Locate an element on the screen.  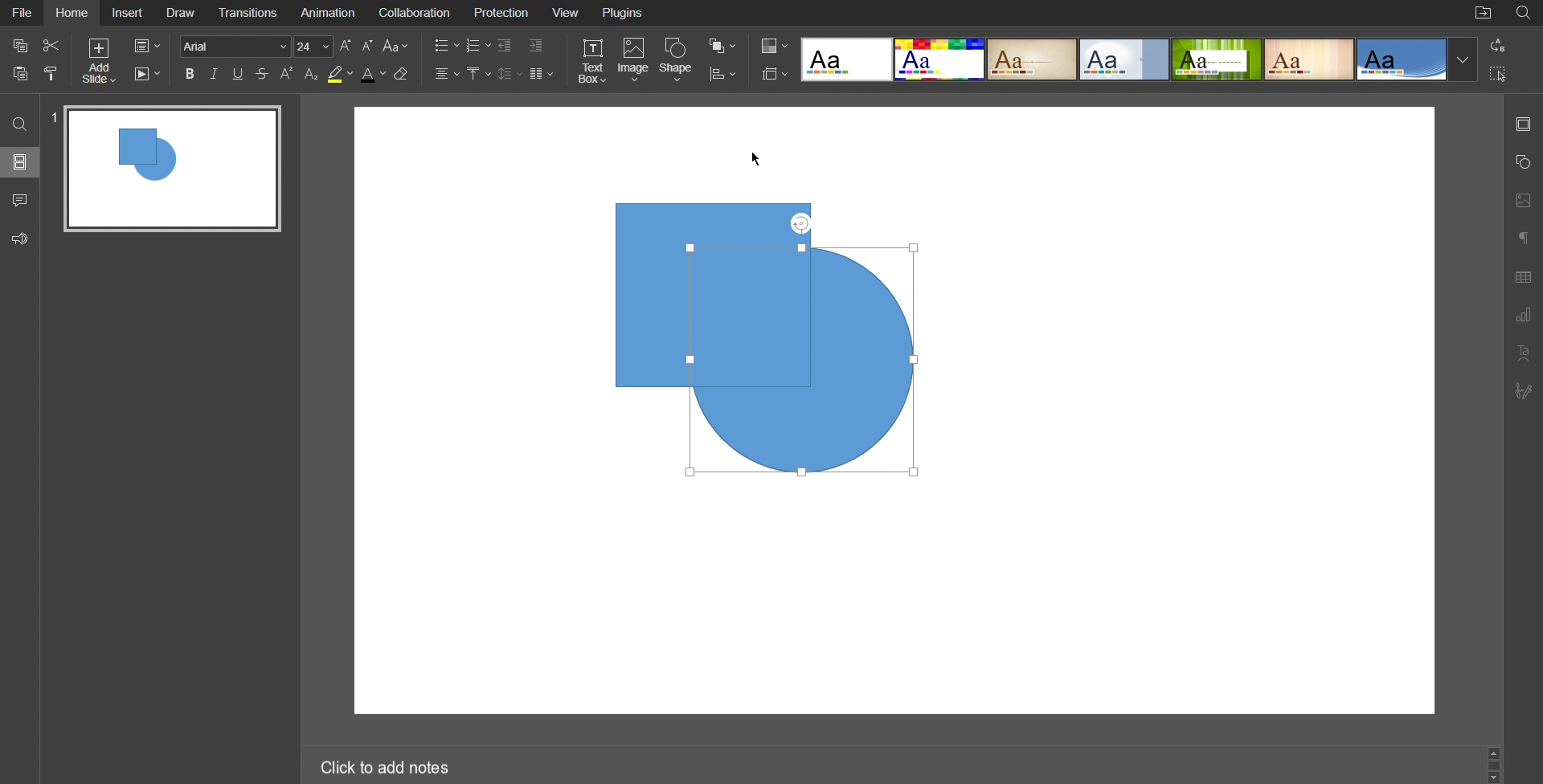
Slide Settings is located at coordinates (776, 73).